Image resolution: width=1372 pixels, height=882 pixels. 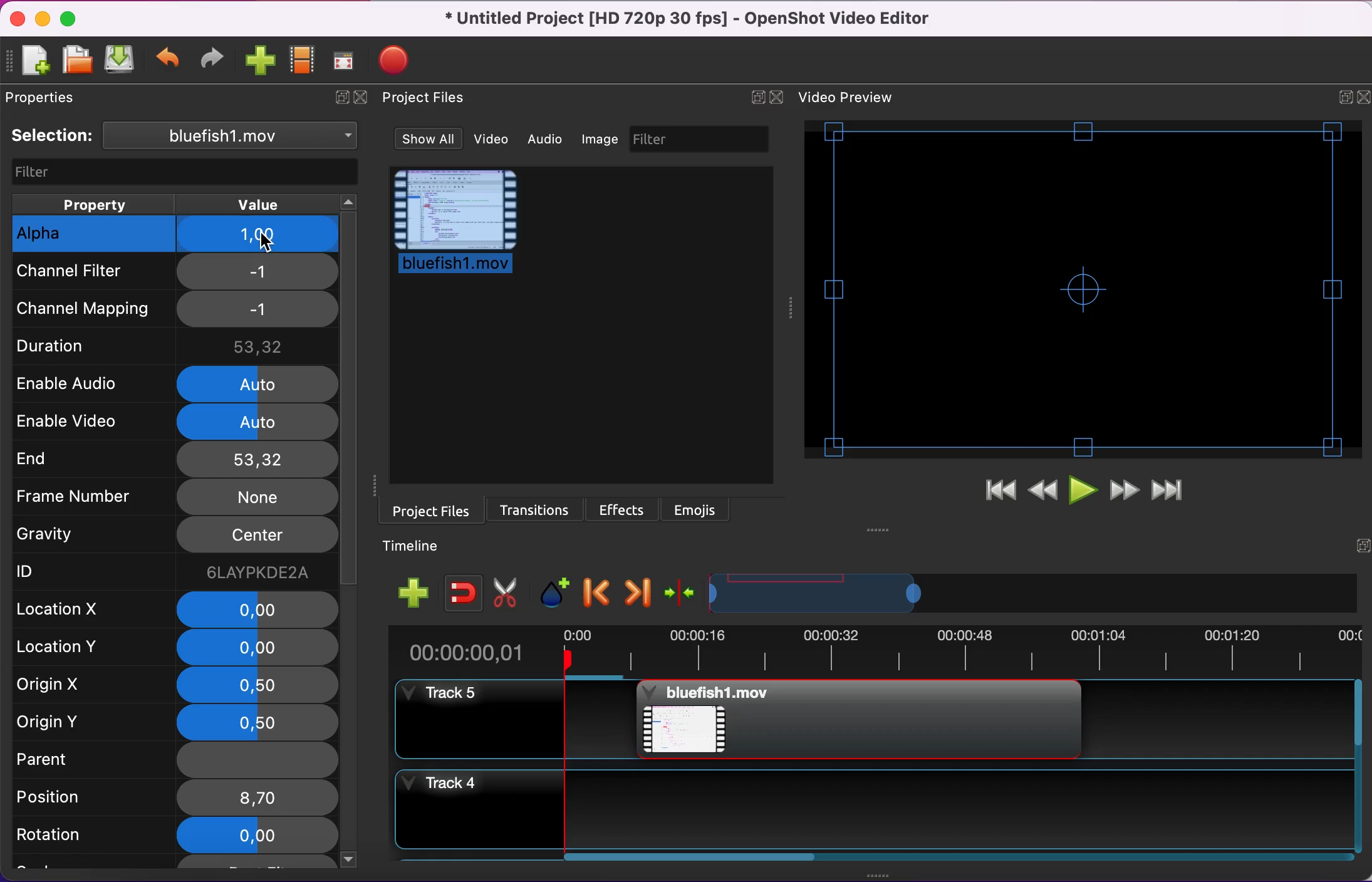 I want to click on 53,32, so click(x=256, y=459).